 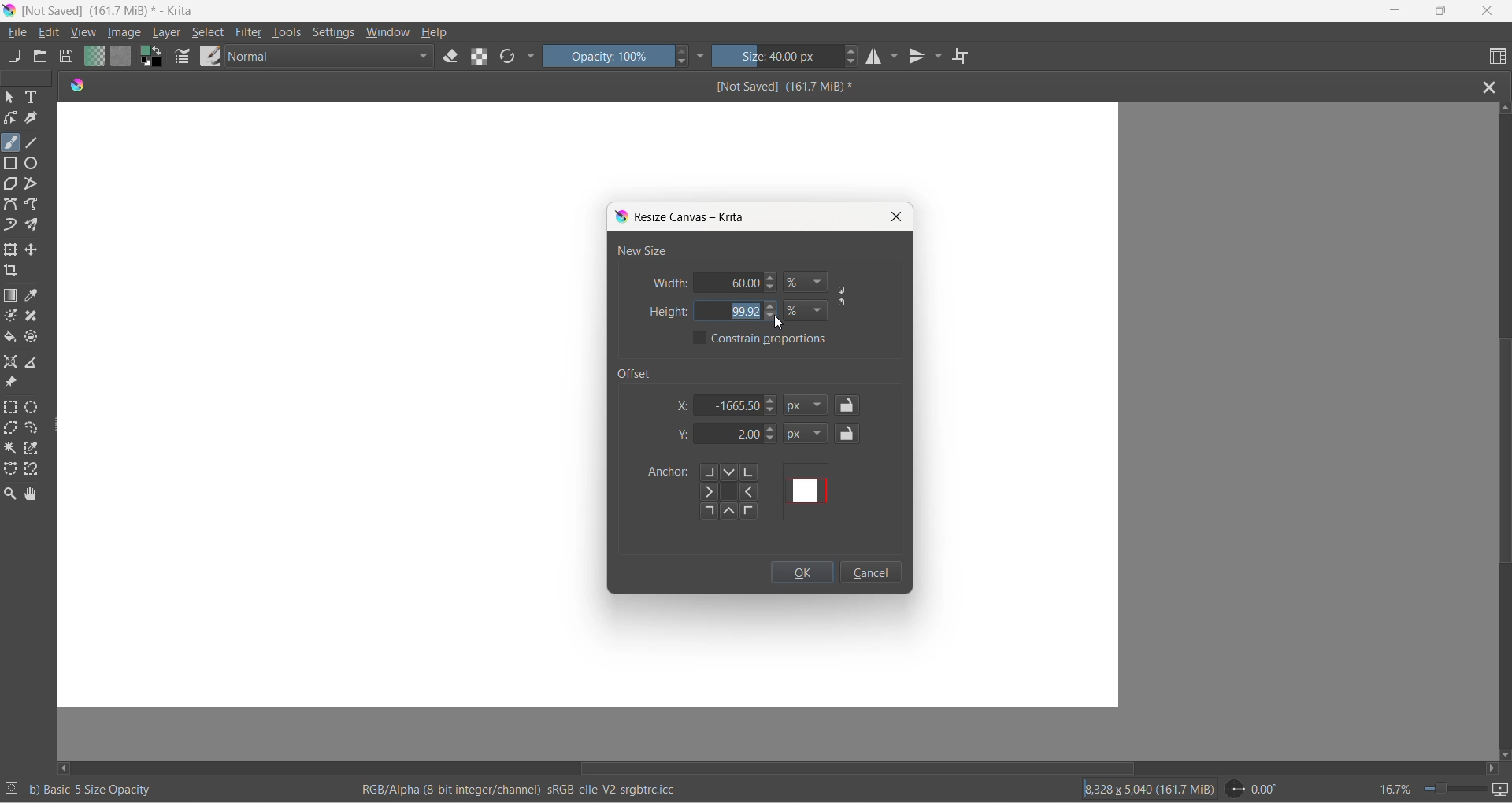 What do you see at coordinates (589, 150) in the screenshot?
I see `canvas size` at bounding box center [589, 150].